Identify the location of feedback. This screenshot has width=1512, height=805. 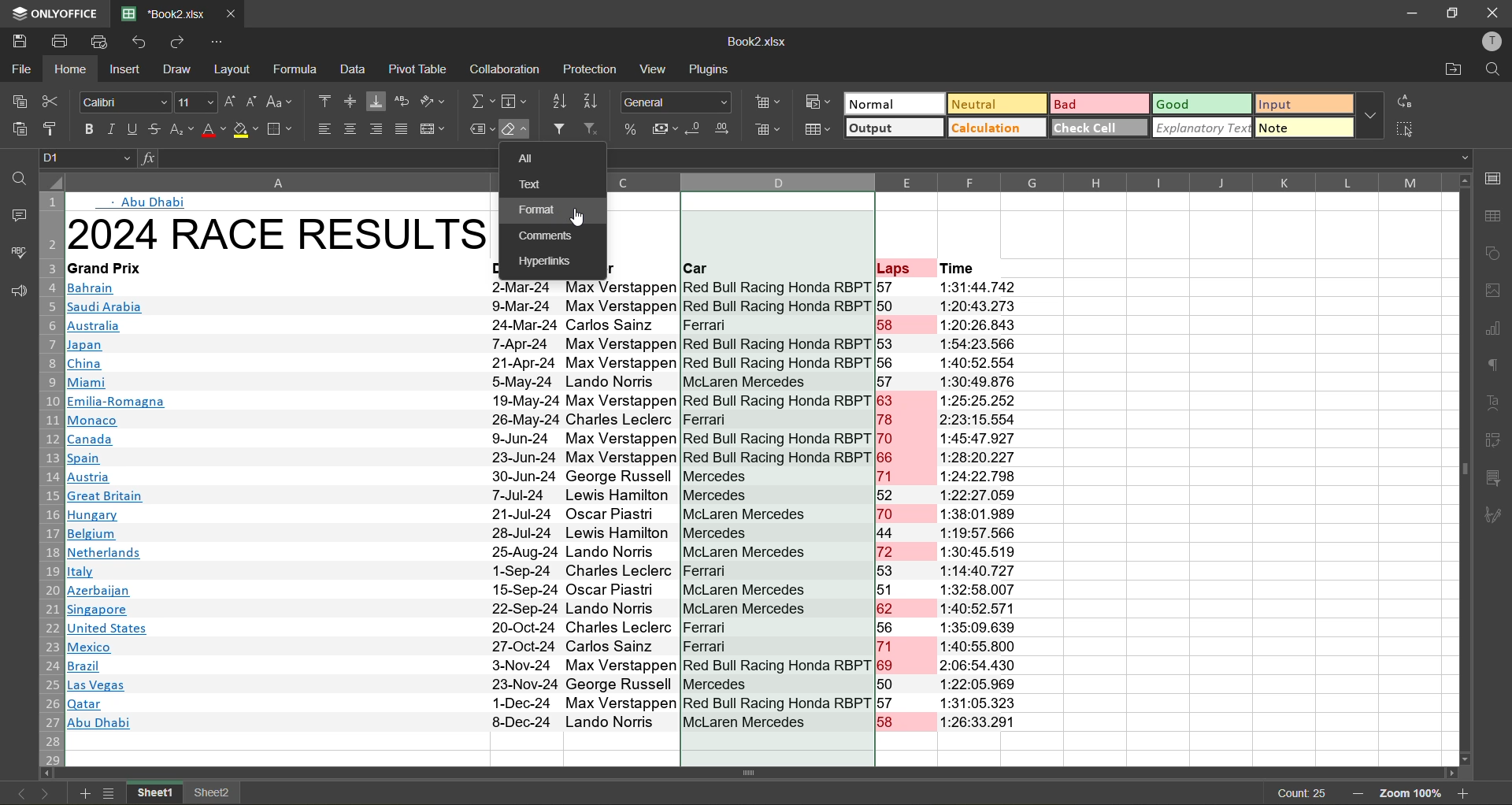
(15, 292).